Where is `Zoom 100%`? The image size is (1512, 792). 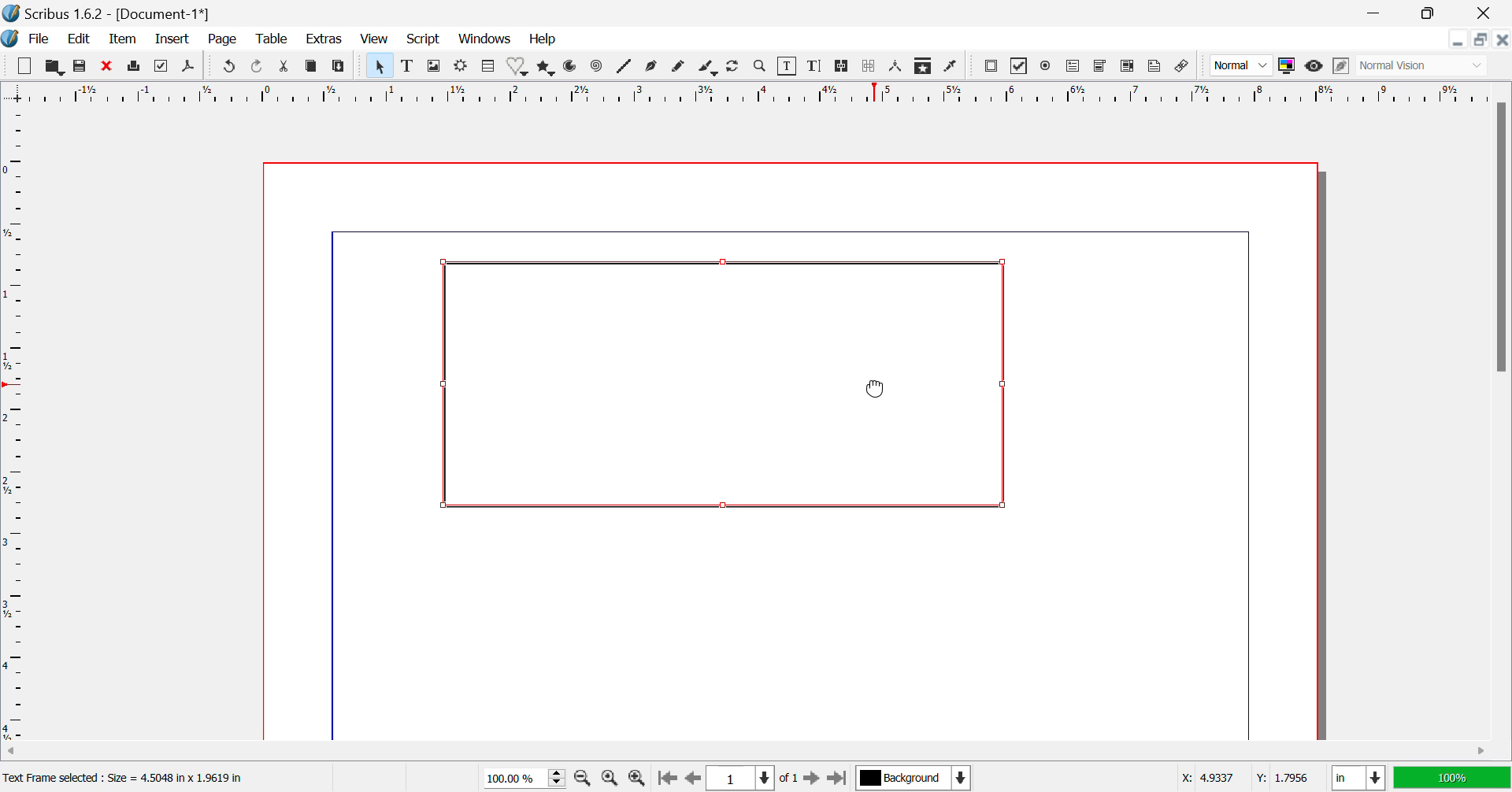 Zoom 100% is located at coordinates (526, 777).